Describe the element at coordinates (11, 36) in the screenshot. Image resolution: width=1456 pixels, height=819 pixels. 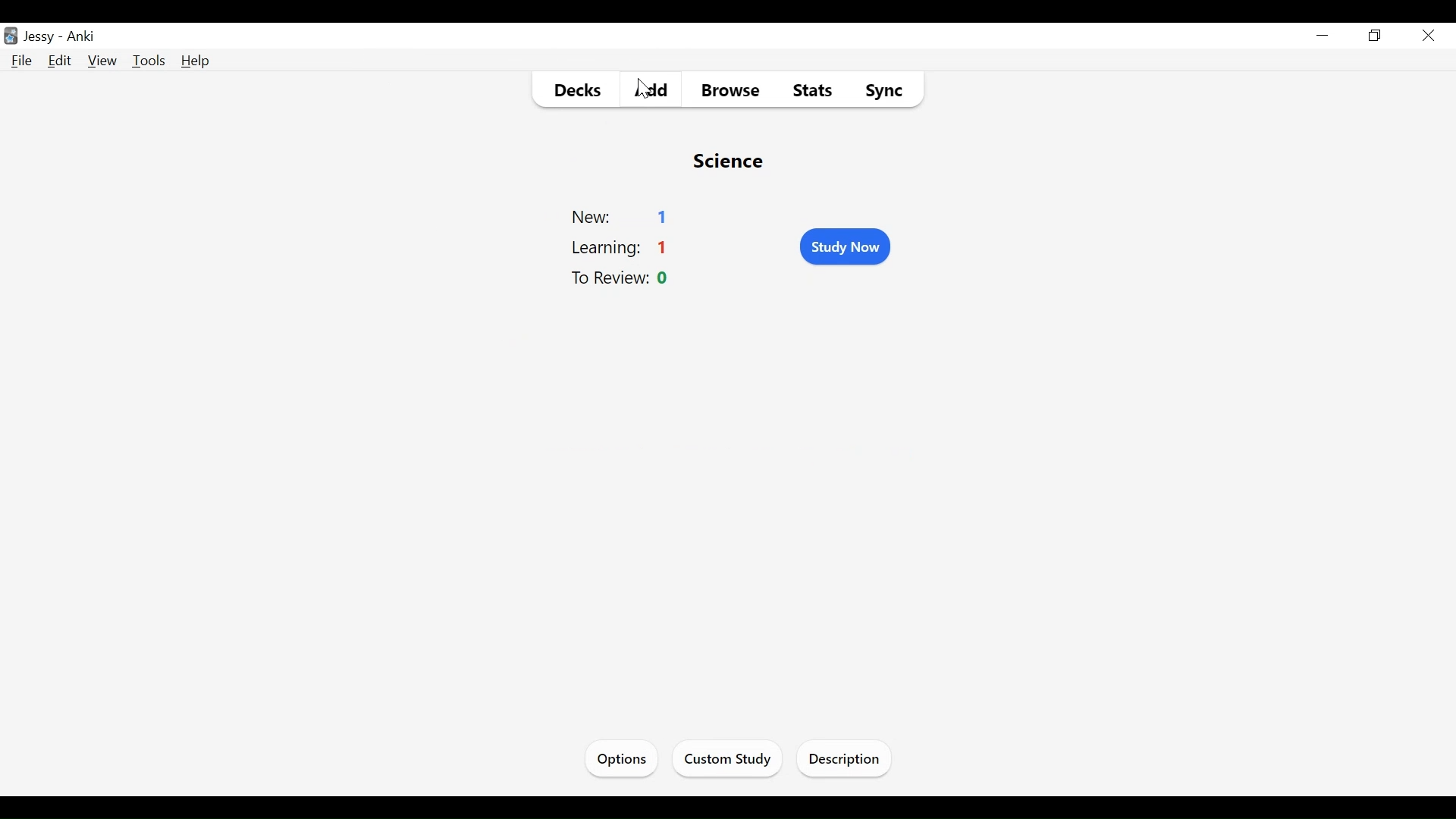
I see `Anki Desktop Icon` at that location.